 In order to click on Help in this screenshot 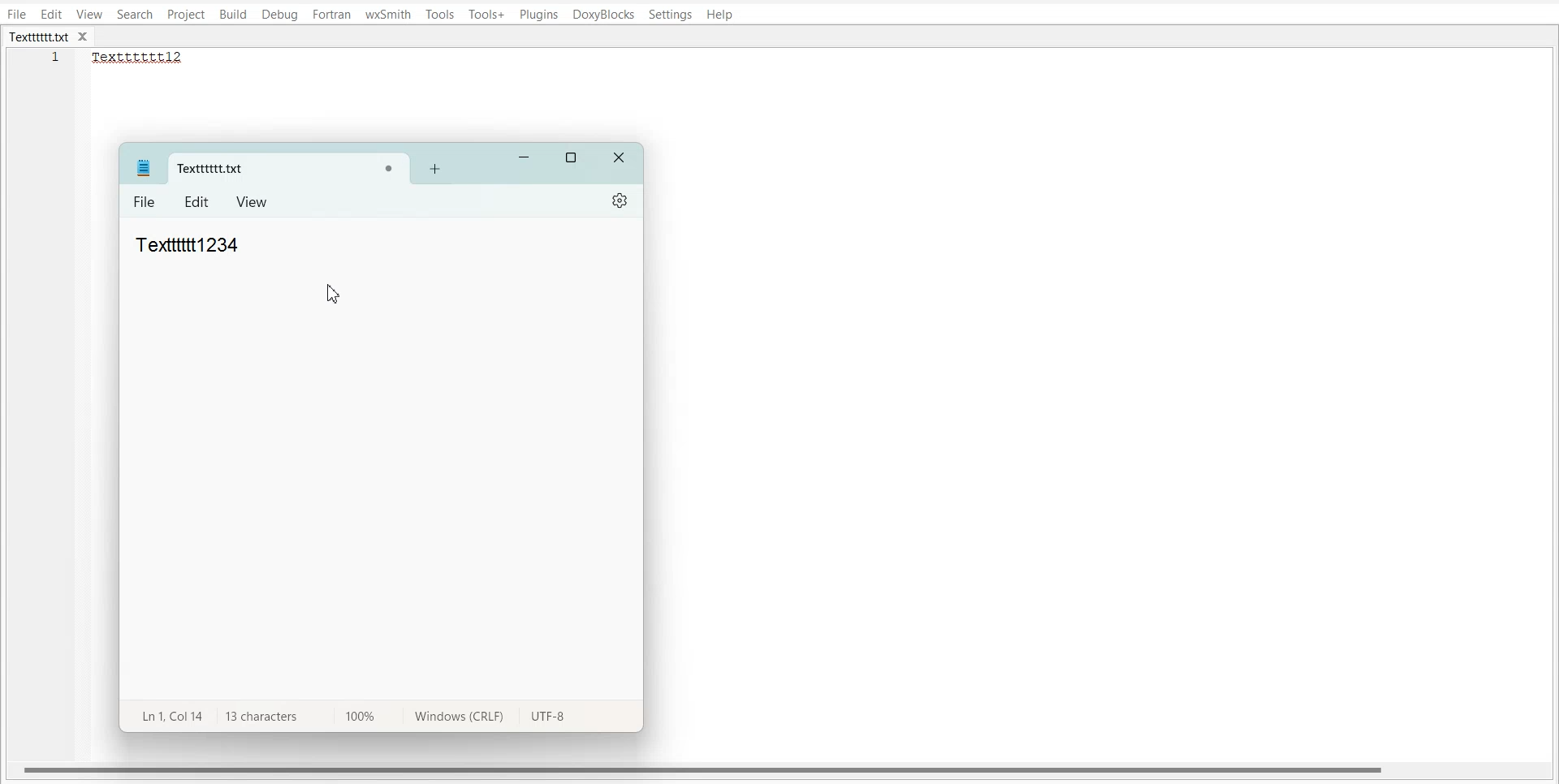, I will do `click(719, 15)`.